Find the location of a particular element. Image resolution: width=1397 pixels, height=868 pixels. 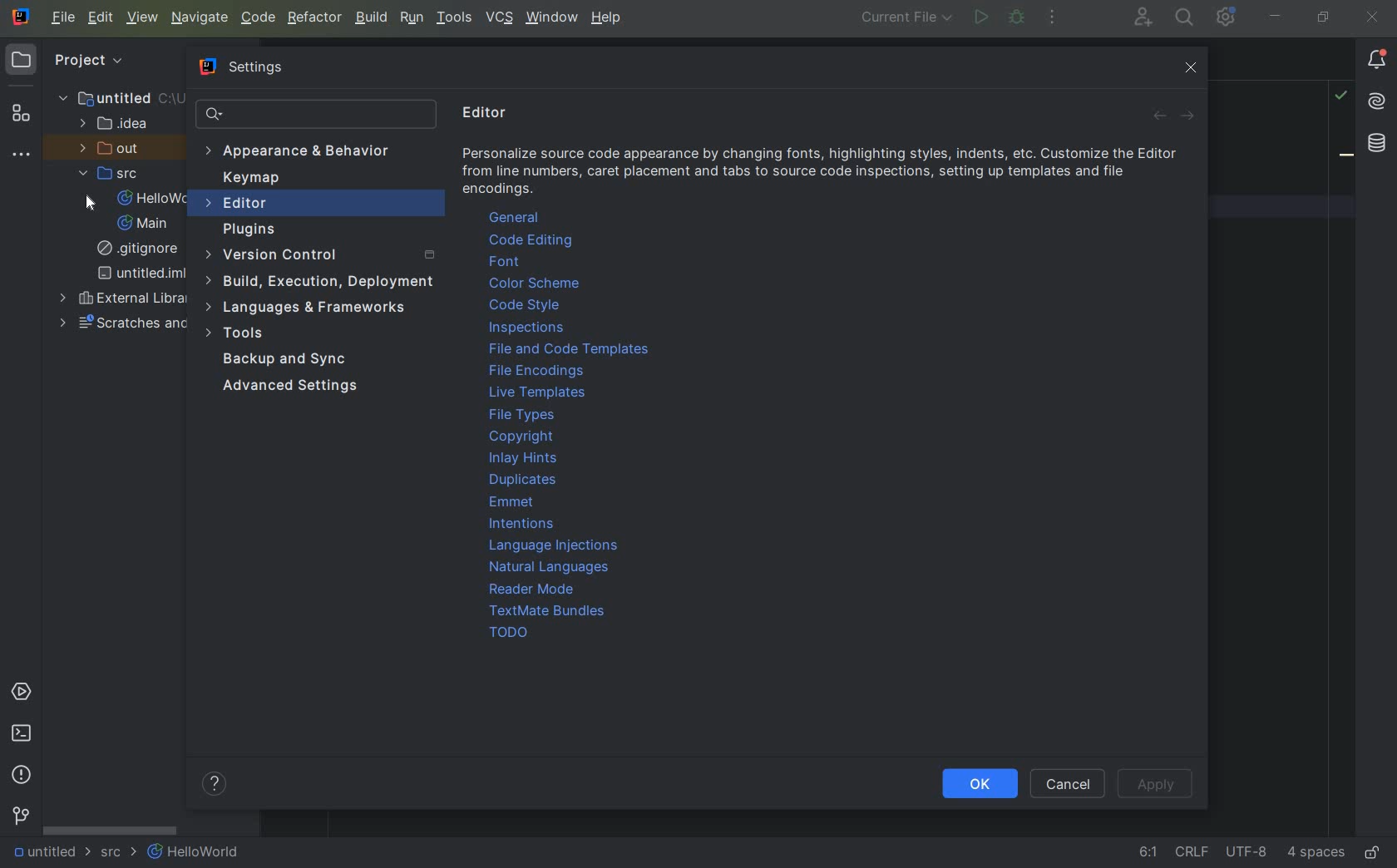

Keymap is located at coordinates (246, 179).